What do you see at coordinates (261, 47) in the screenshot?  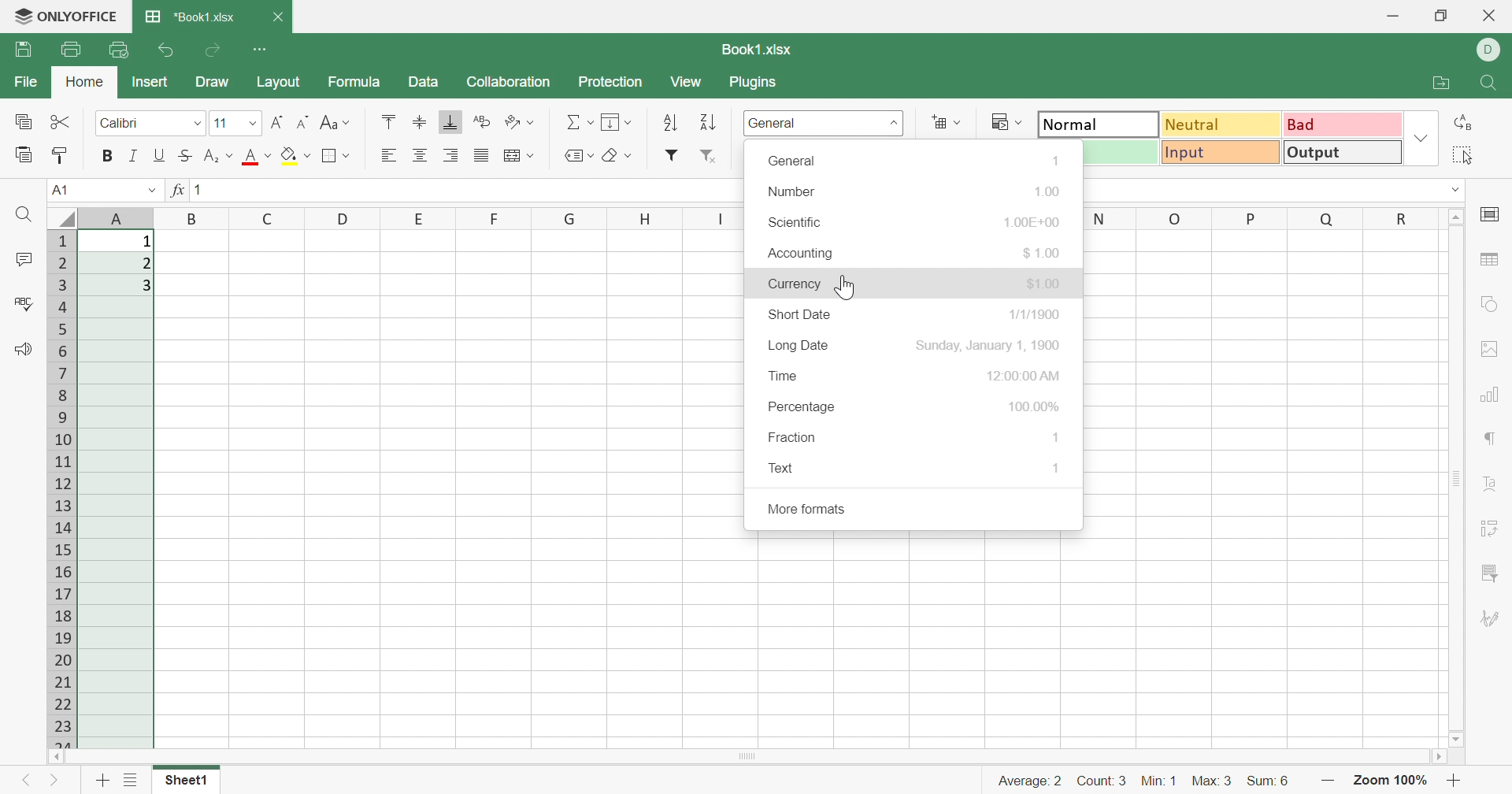 I see `Customize Quick Access Toolbar` at bounding box center [261, 47].